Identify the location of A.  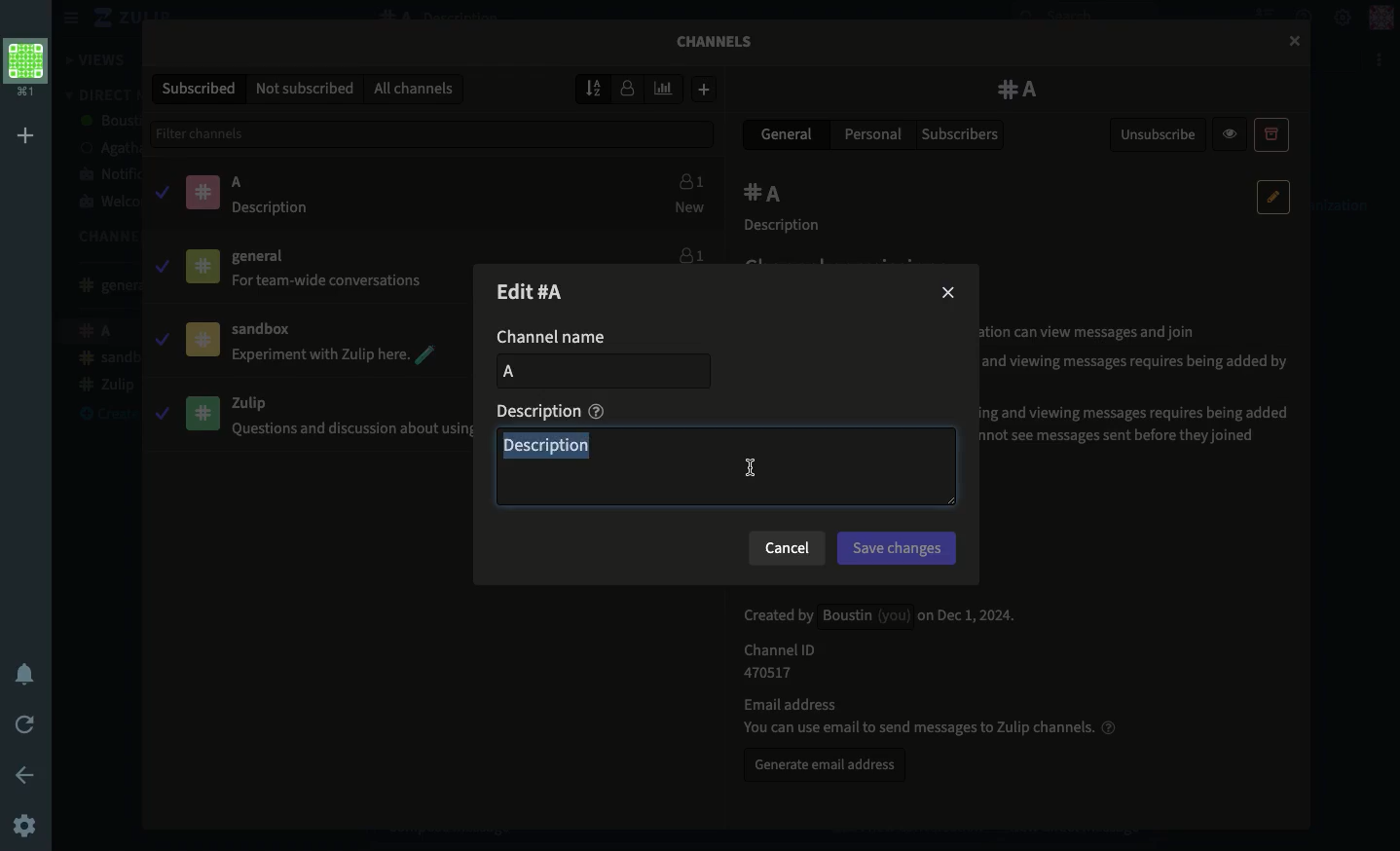
(102, 333).